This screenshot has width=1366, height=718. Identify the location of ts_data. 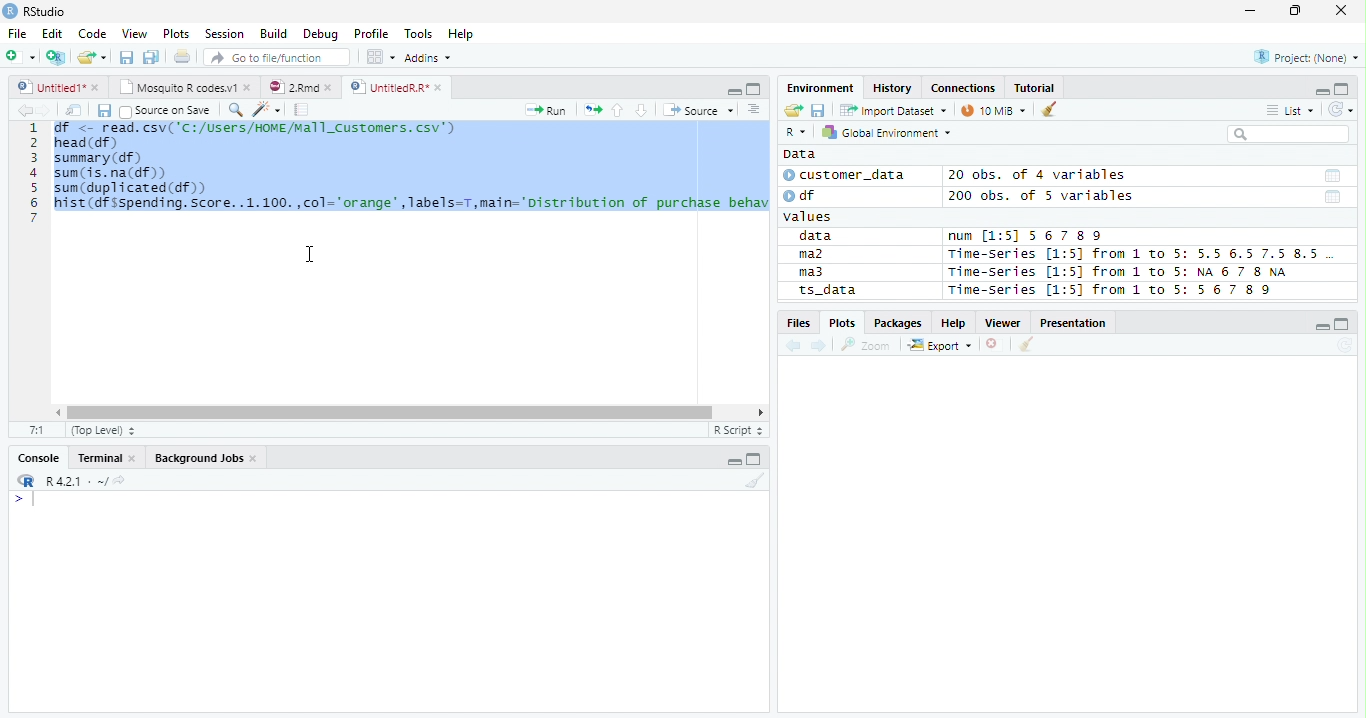
(855, 293).